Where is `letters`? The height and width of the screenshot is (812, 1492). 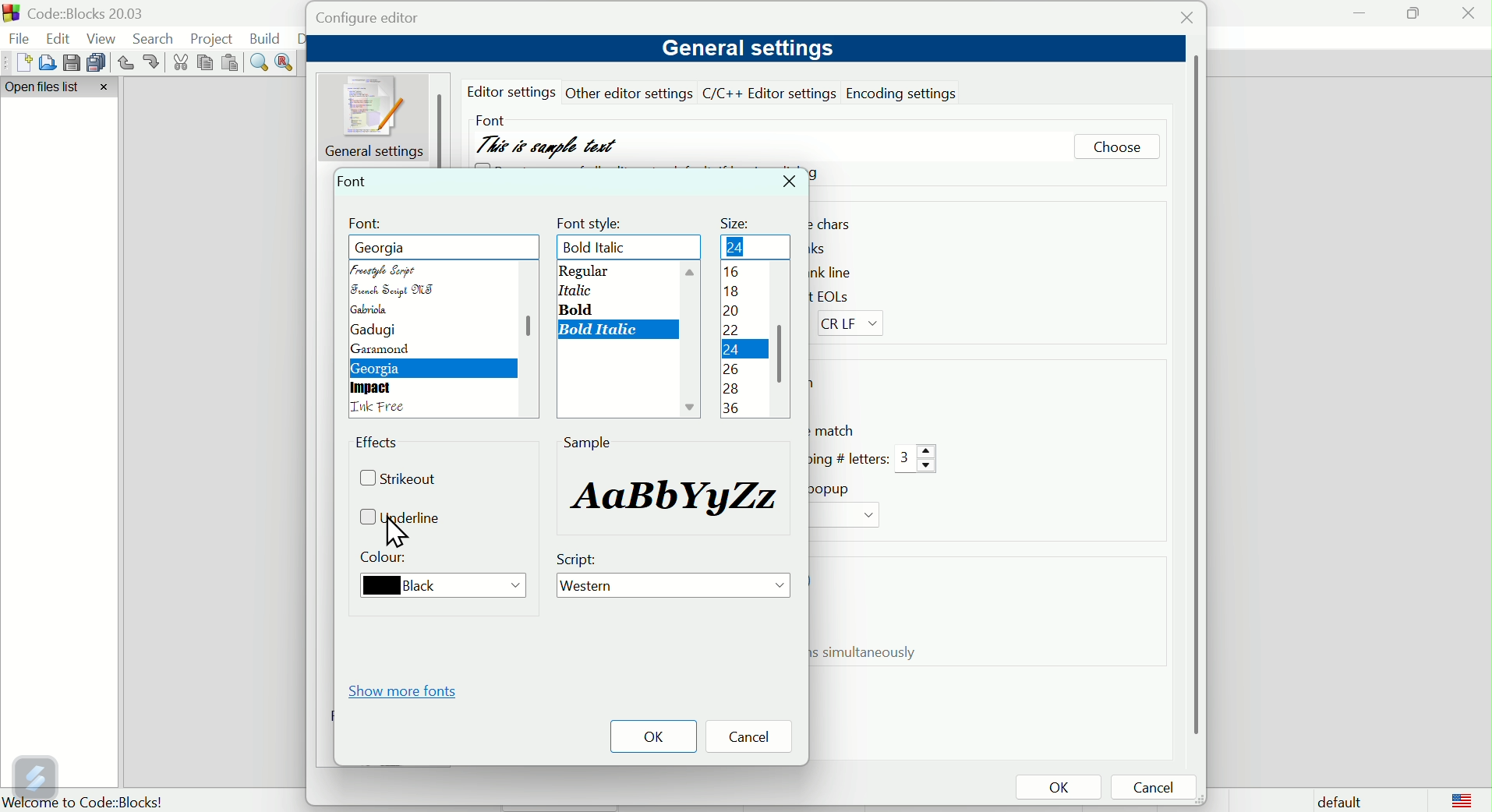 letters is located at coordinates (847, 458).